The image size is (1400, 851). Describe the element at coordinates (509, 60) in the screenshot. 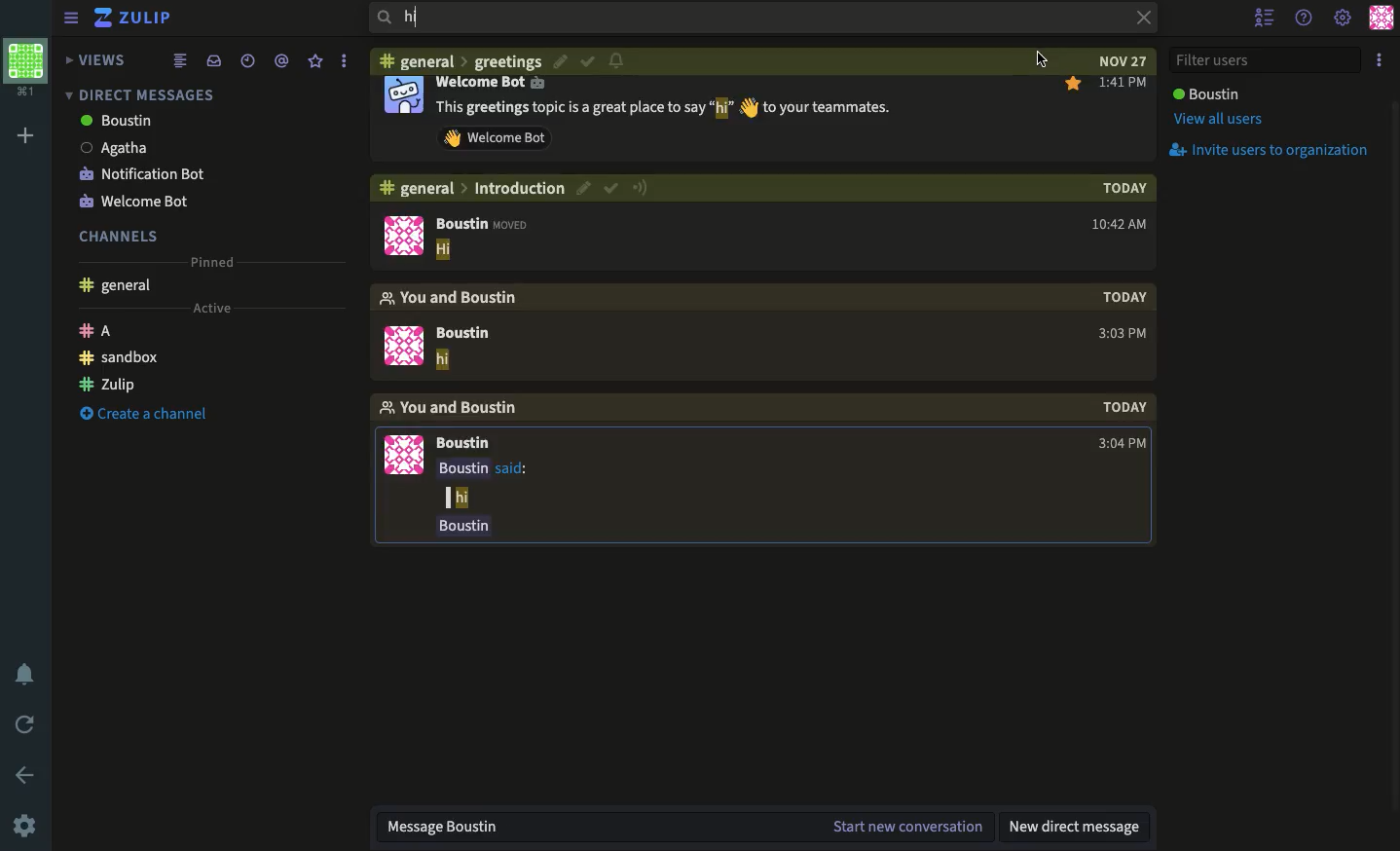

I see `greetings` at that location.